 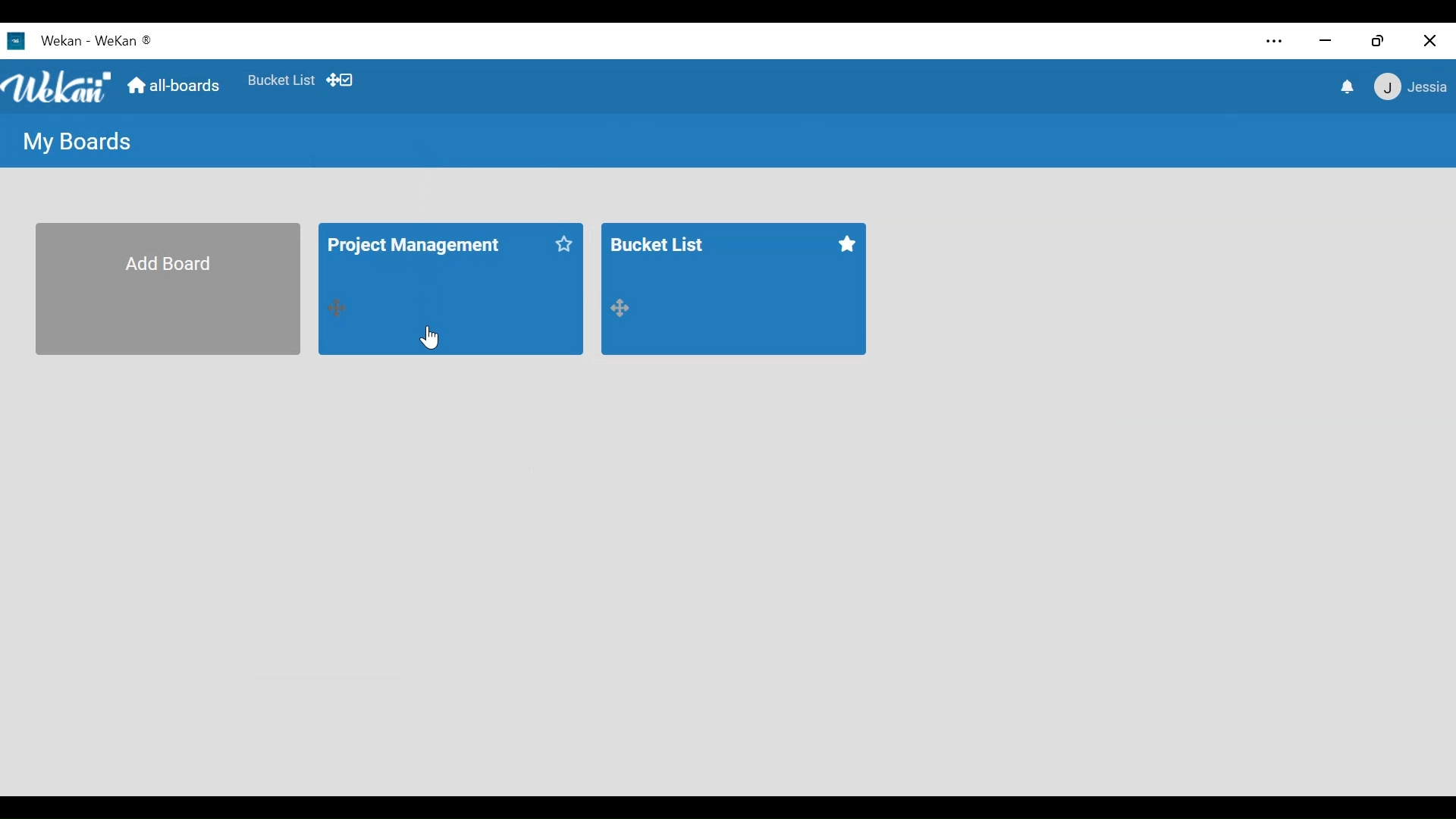 I want to click on Wekan, so click(x=124, y=40).